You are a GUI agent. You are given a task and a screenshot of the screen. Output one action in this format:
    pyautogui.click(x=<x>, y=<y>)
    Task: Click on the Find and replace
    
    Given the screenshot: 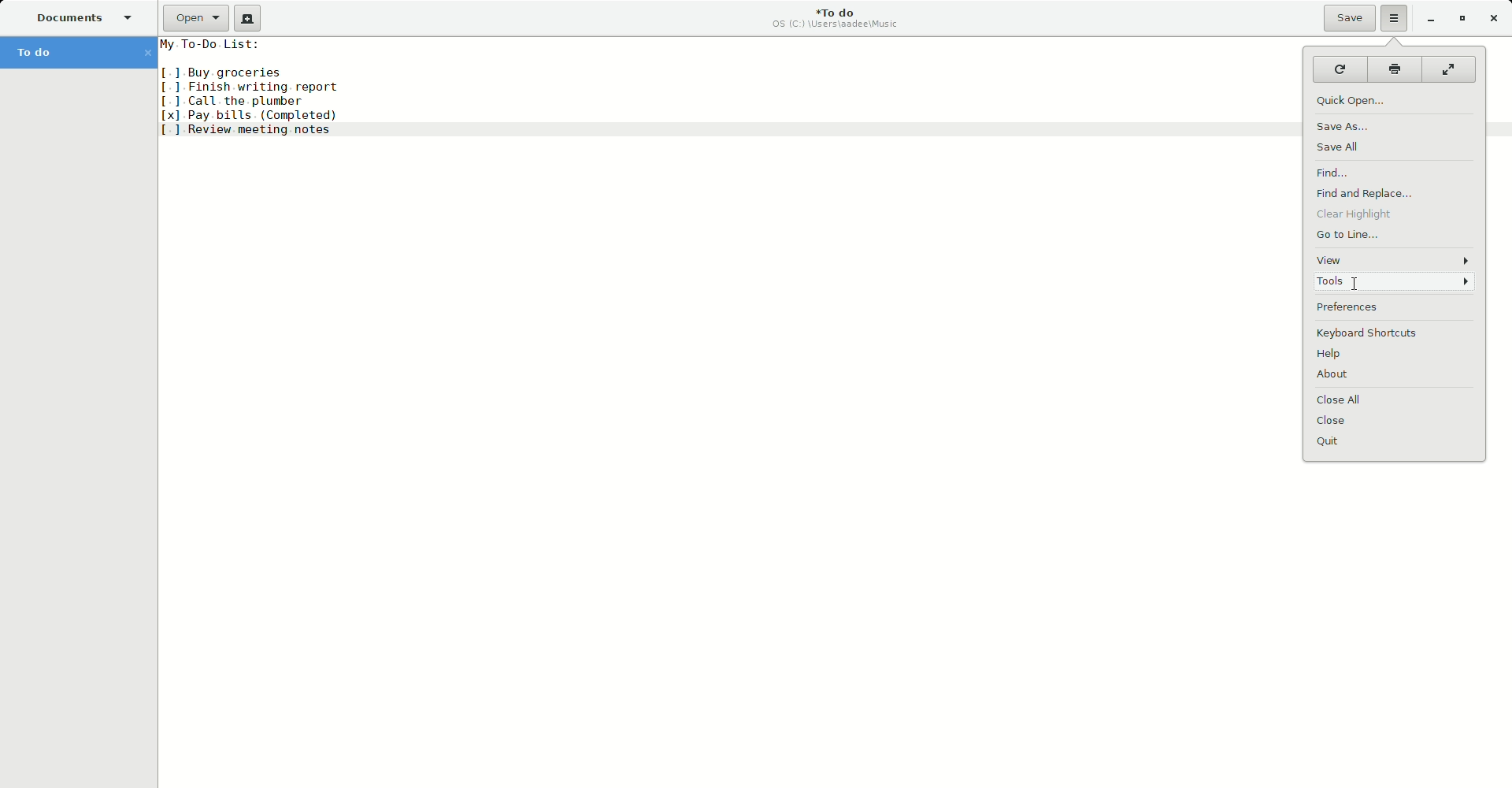 What is the action you would take?
    pyautogui.click(x=1366, y=194)
    